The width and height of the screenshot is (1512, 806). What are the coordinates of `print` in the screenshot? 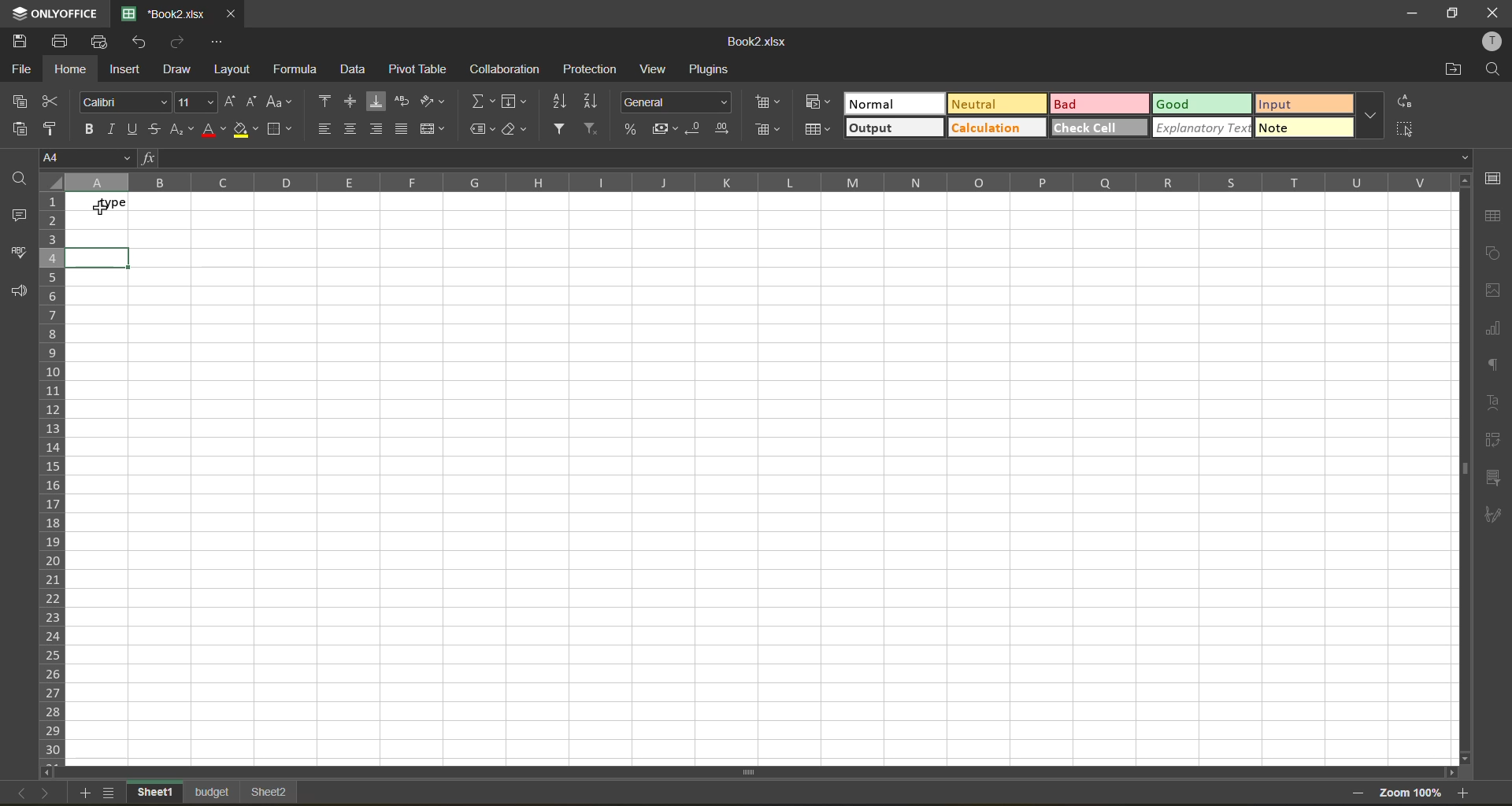 It's located at (59, 43).